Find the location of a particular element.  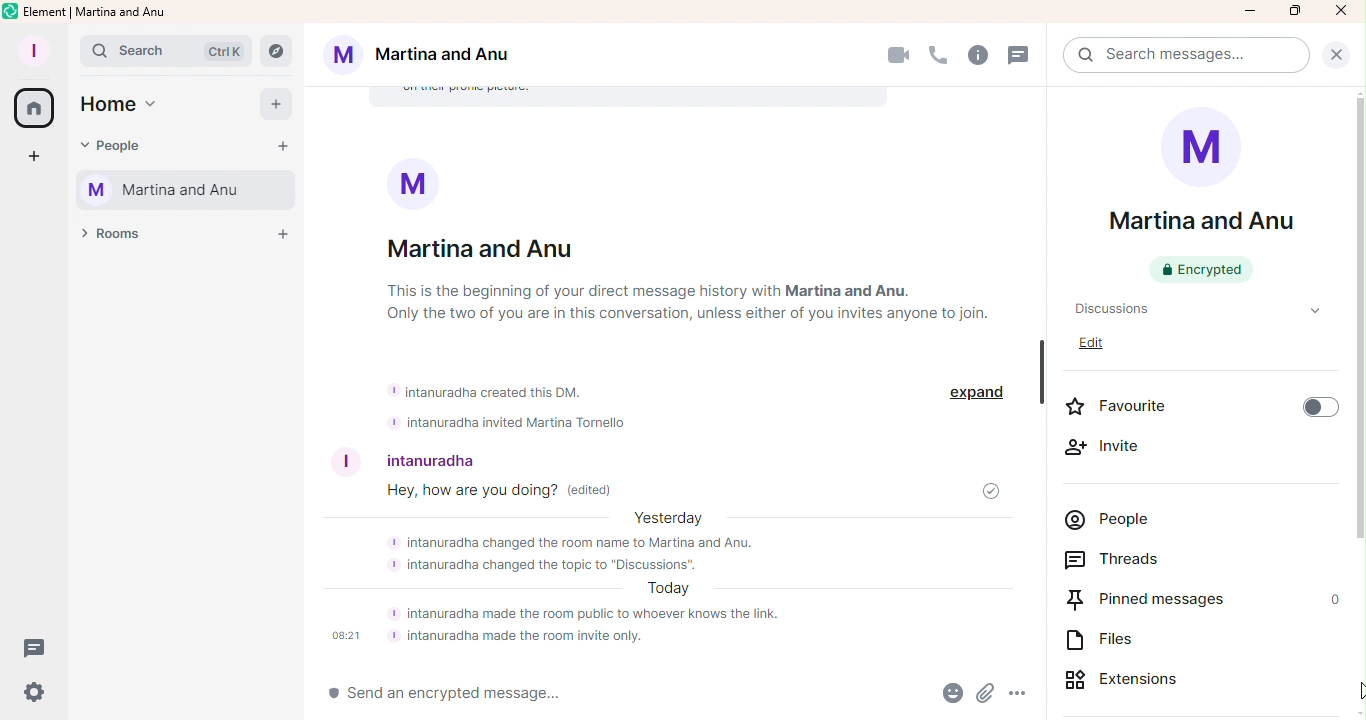

Extensions is located at coordinates (1116, 683).